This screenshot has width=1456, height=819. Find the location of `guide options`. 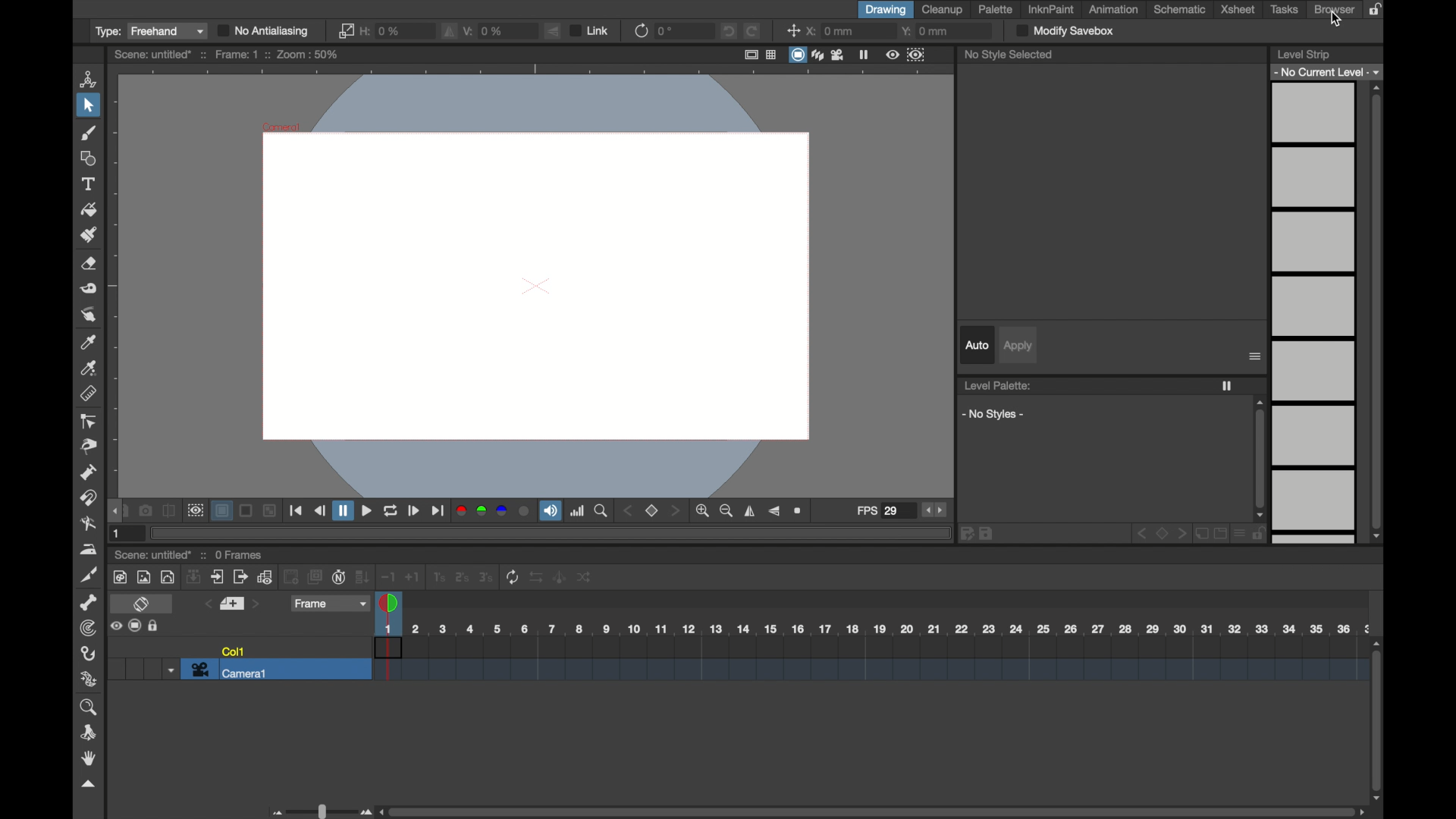

guide options is located at coordinates (759, 55).